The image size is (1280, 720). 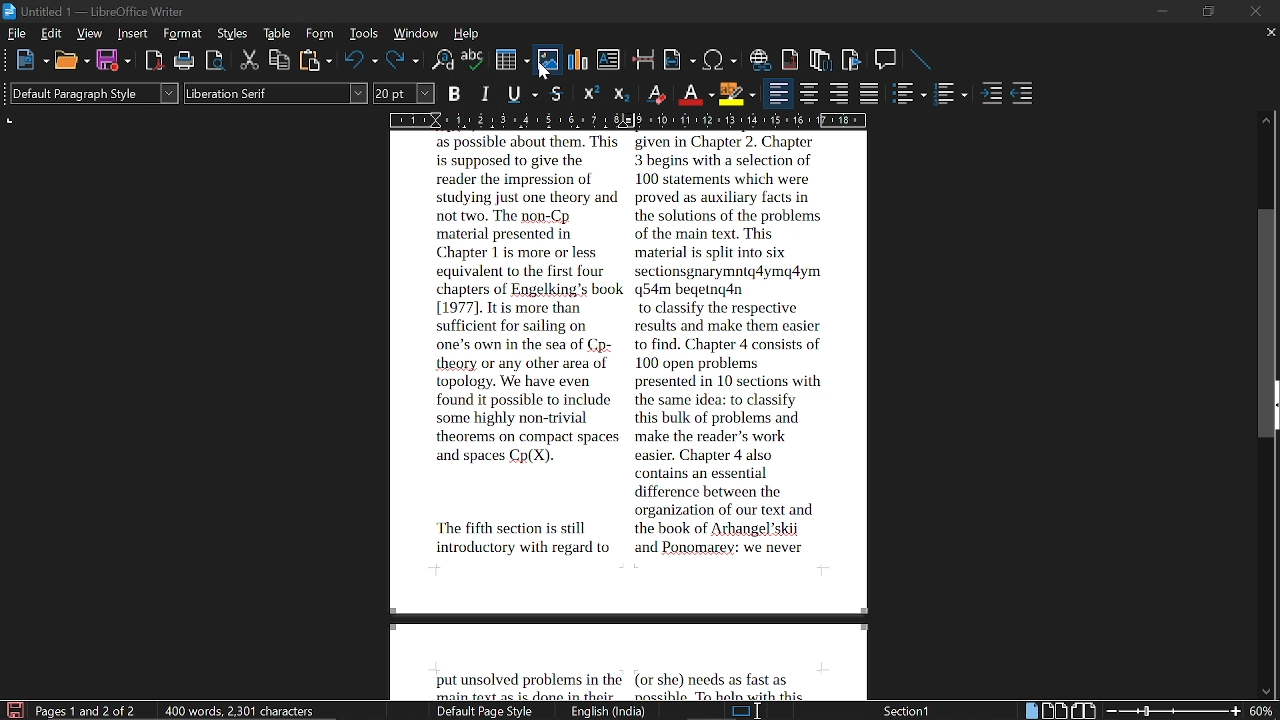 I want to click on align left, so click(x=777, y=93).